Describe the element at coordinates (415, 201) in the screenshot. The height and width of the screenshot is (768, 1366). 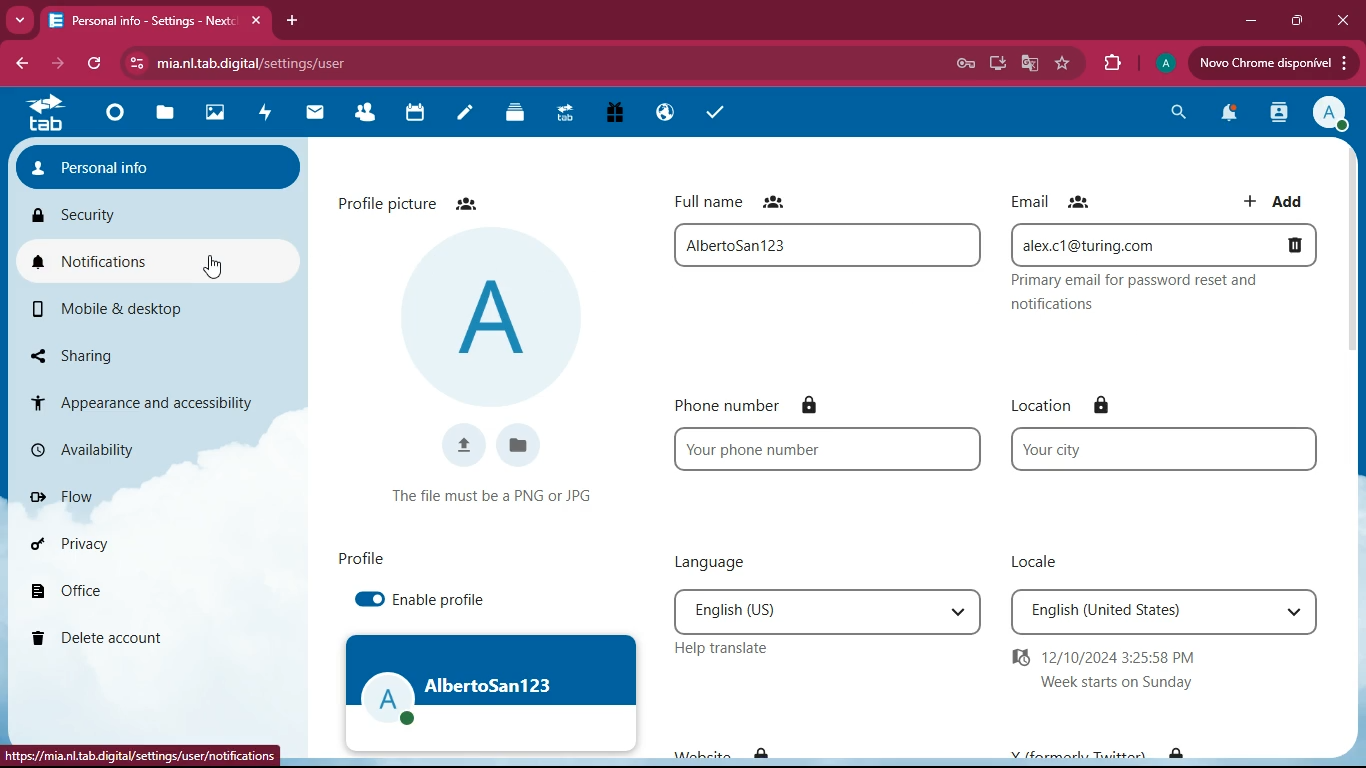
I see `profile picture` at that location.